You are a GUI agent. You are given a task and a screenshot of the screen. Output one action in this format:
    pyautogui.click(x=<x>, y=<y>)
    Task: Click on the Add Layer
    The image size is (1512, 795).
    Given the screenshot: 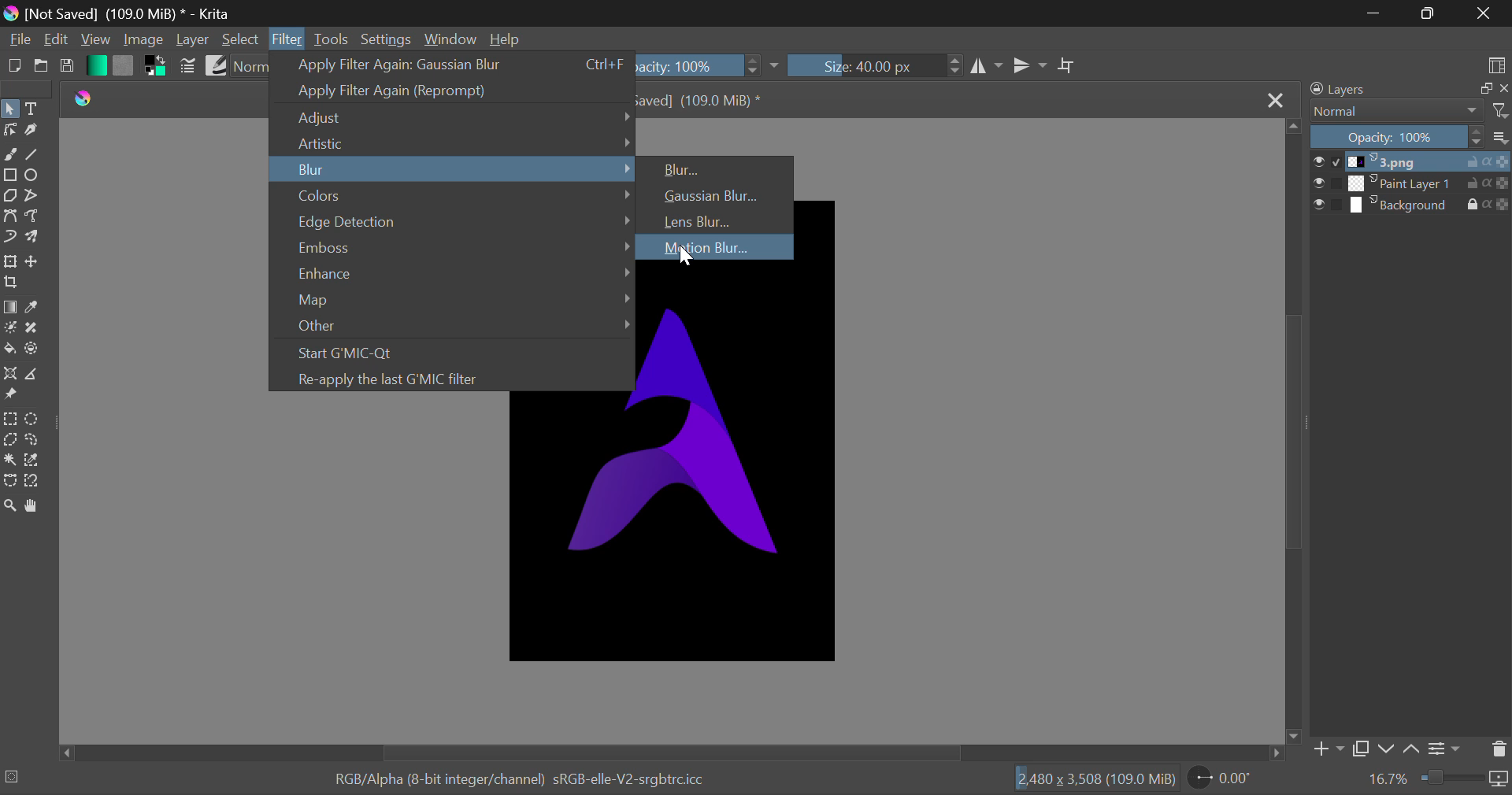 What is the action you would take?
    pyautogui.click(x=1328, y=749)
    